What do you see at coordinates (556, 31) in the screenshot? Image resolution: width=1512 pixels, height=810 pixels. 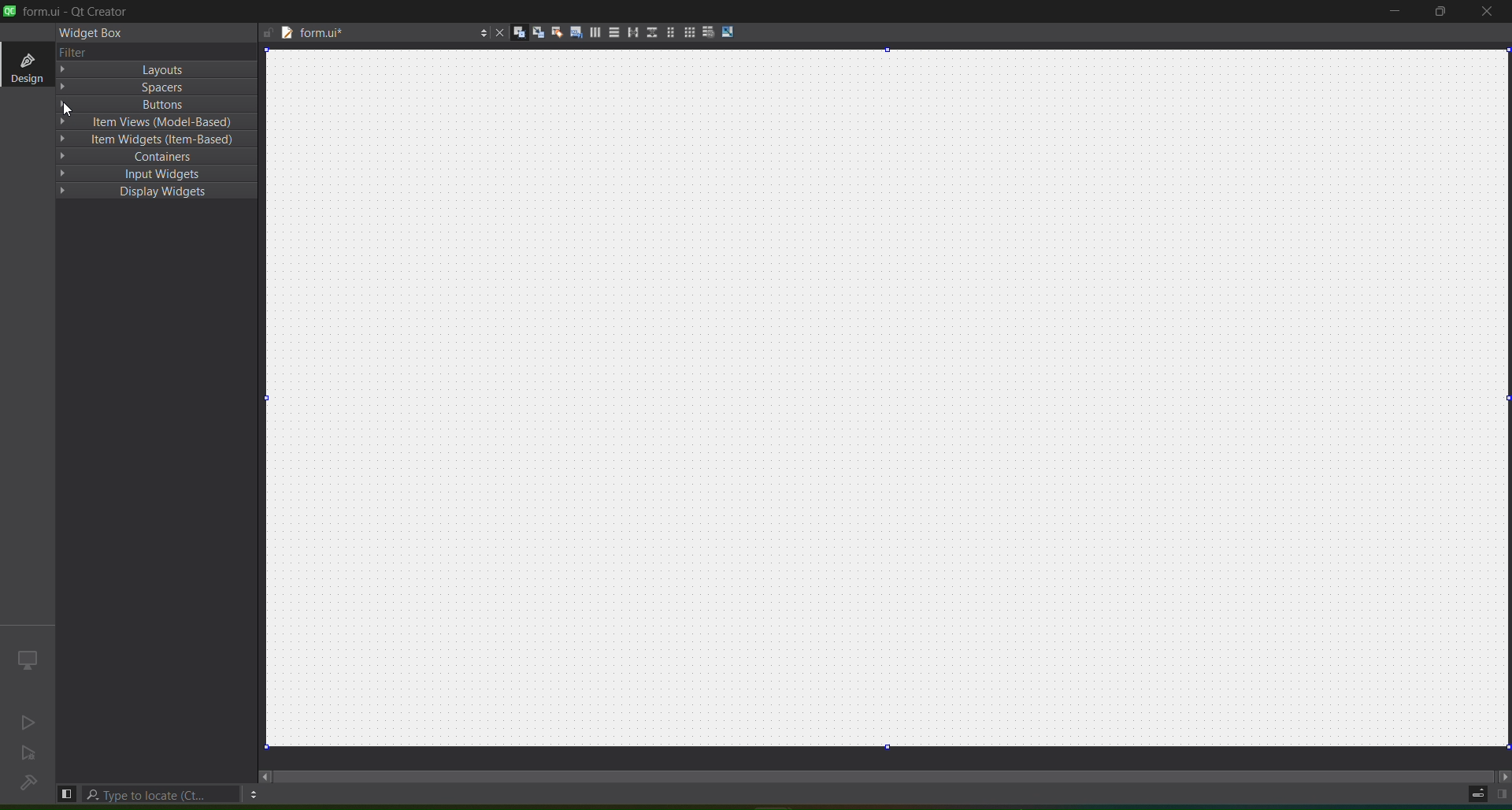 I see `edit buddies` at bounding box center [556, 31].